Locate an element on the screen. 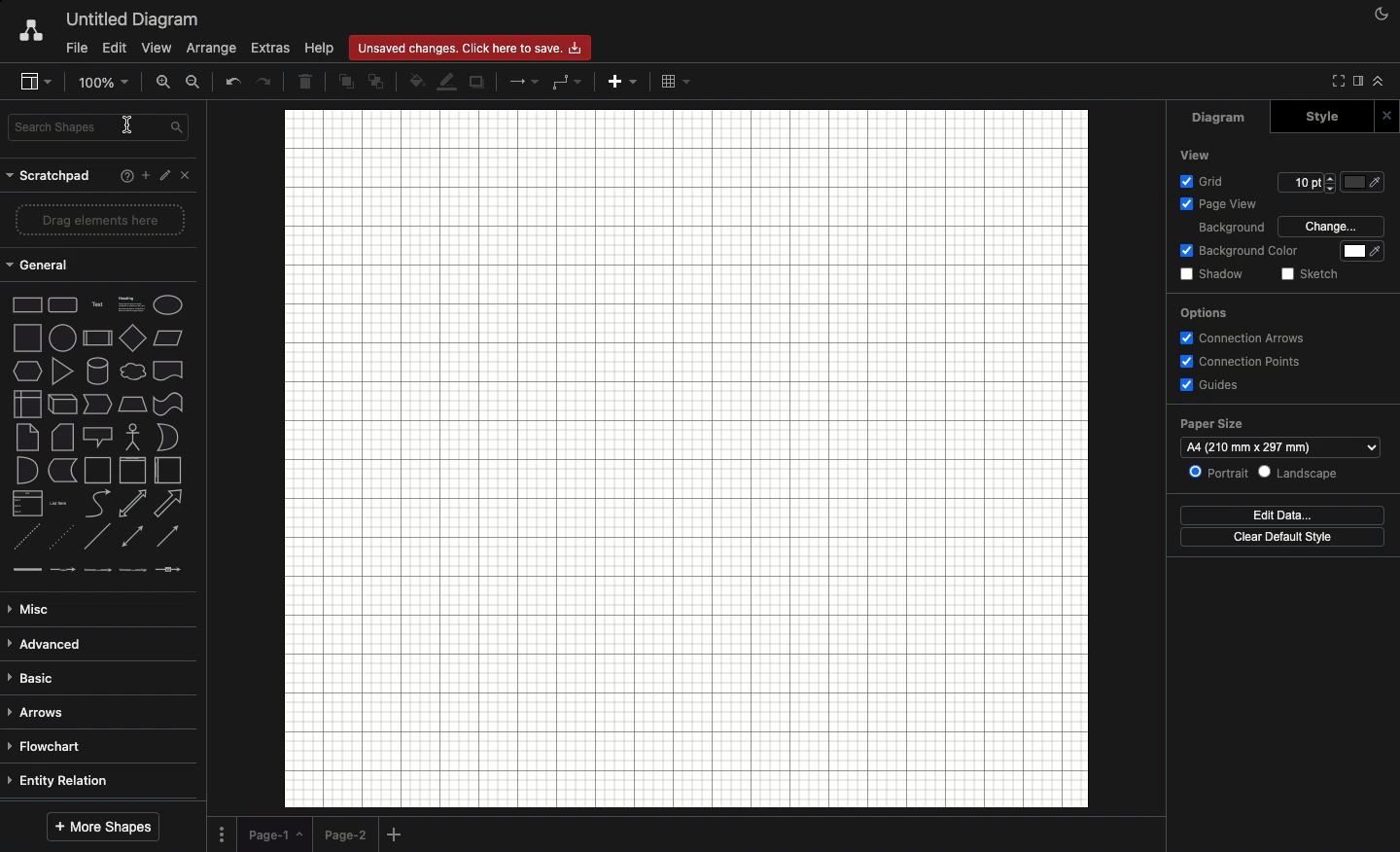 The height and width of the screenshot is (852, 1400). Entity relation is located at coordinates (63, 780).